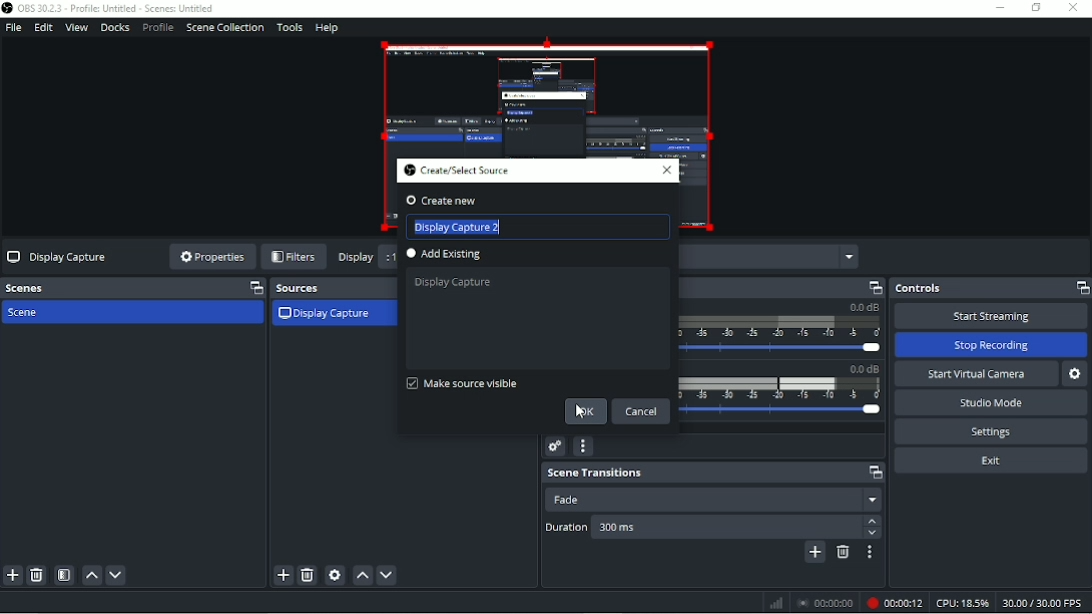  What do you see at coordinates (989, 317) in the screenshot?
I see `Start streaming` at bounding box center [989, 317].